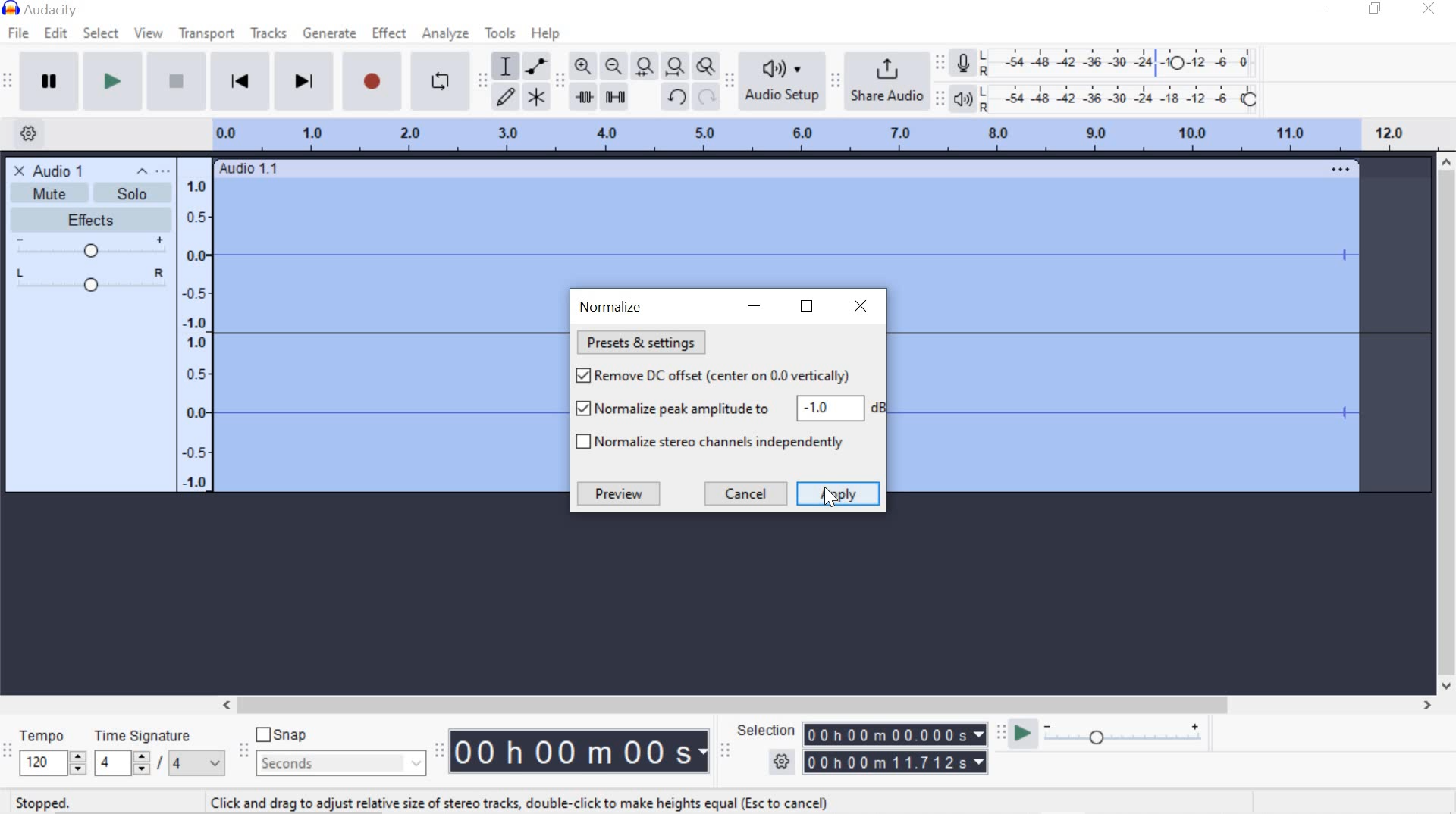  What do you see at coordinates (966, 99) in the screenshot?
I see `Playback meter` at bounding box center [966, 99].